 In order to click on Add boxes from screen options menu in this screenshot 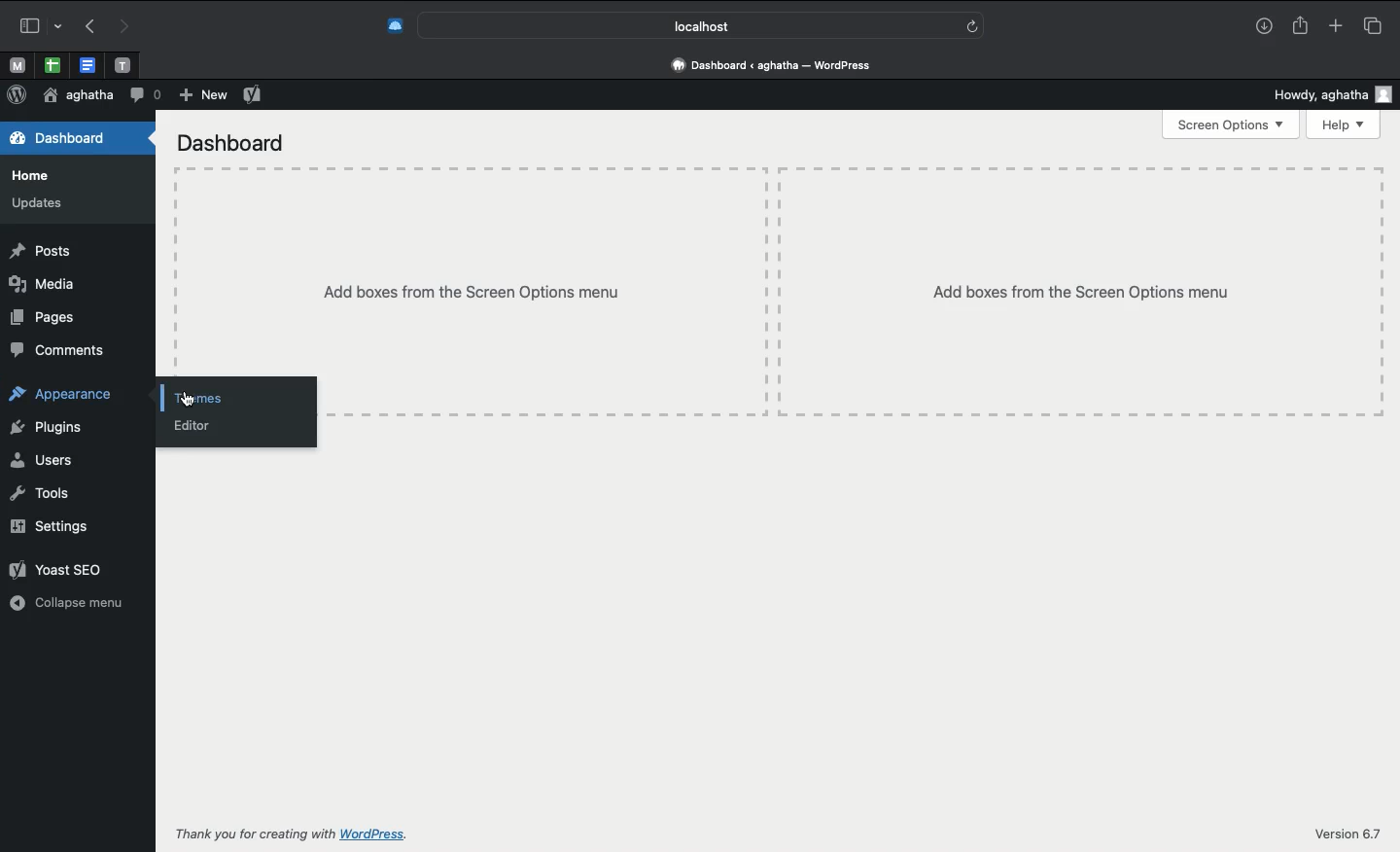, I will do `click(851, 293)`.